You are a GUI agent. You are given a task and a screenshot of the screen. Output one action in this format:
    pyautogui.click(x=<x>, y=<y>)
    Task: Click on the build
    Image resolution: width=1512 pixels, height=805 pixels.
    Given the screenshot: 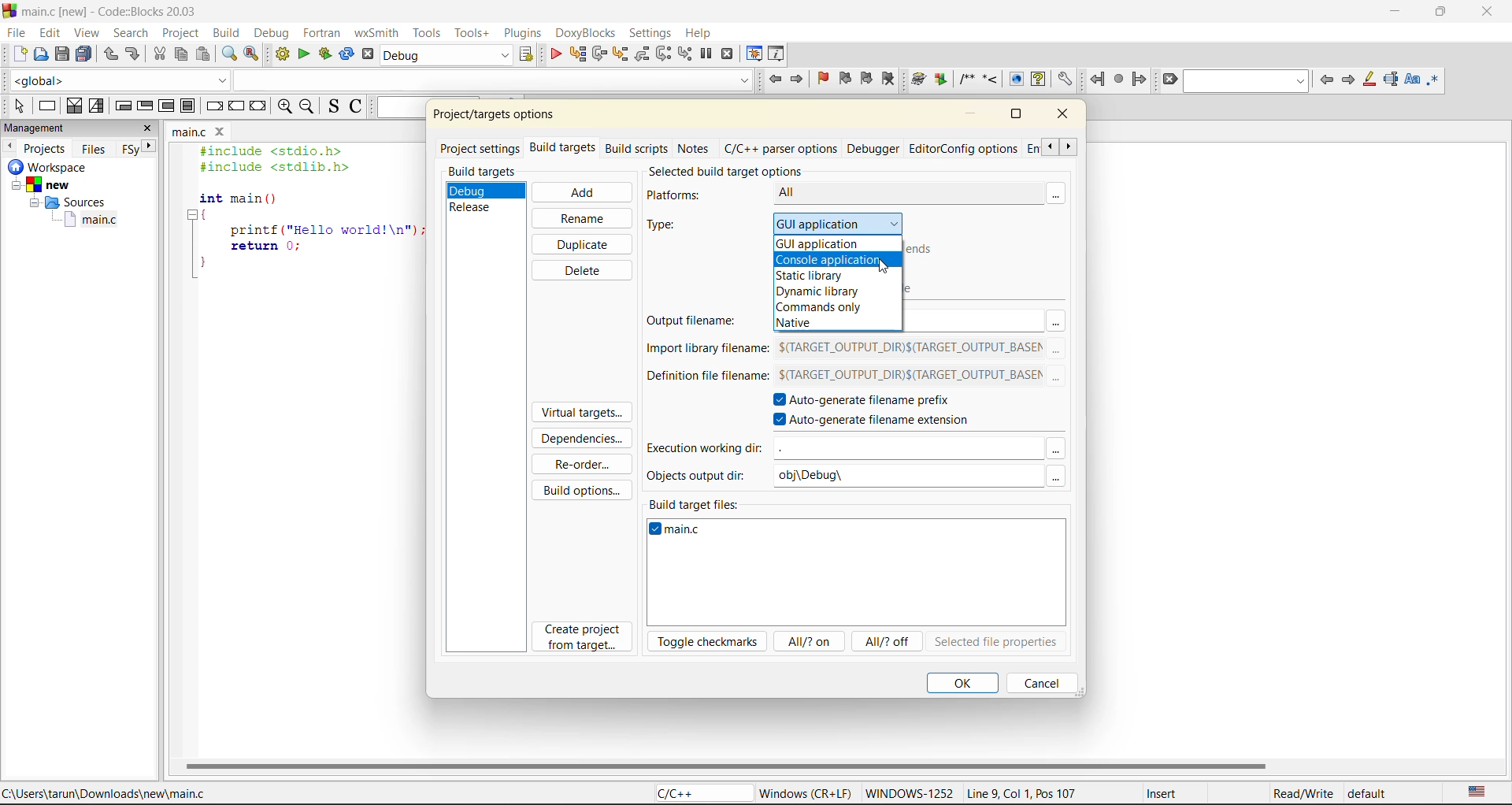 What is the action you would take?
    pyautogui.click(x=226, y=33)
    